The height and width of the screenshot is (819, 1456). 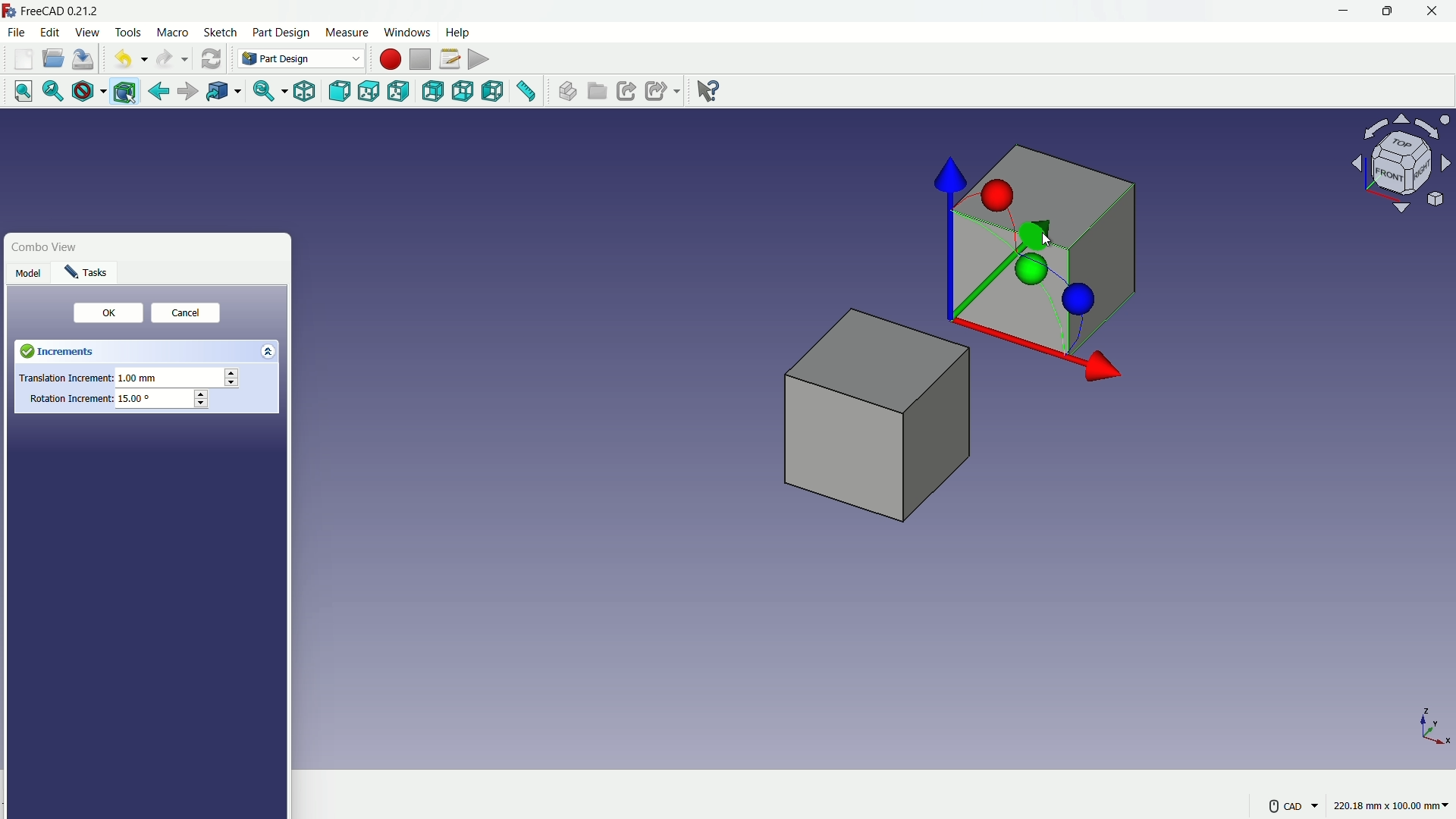 What do you see at coordinates (127, 93) in the screenshot?
I see `bounding box` at bounding box center [127, 93].